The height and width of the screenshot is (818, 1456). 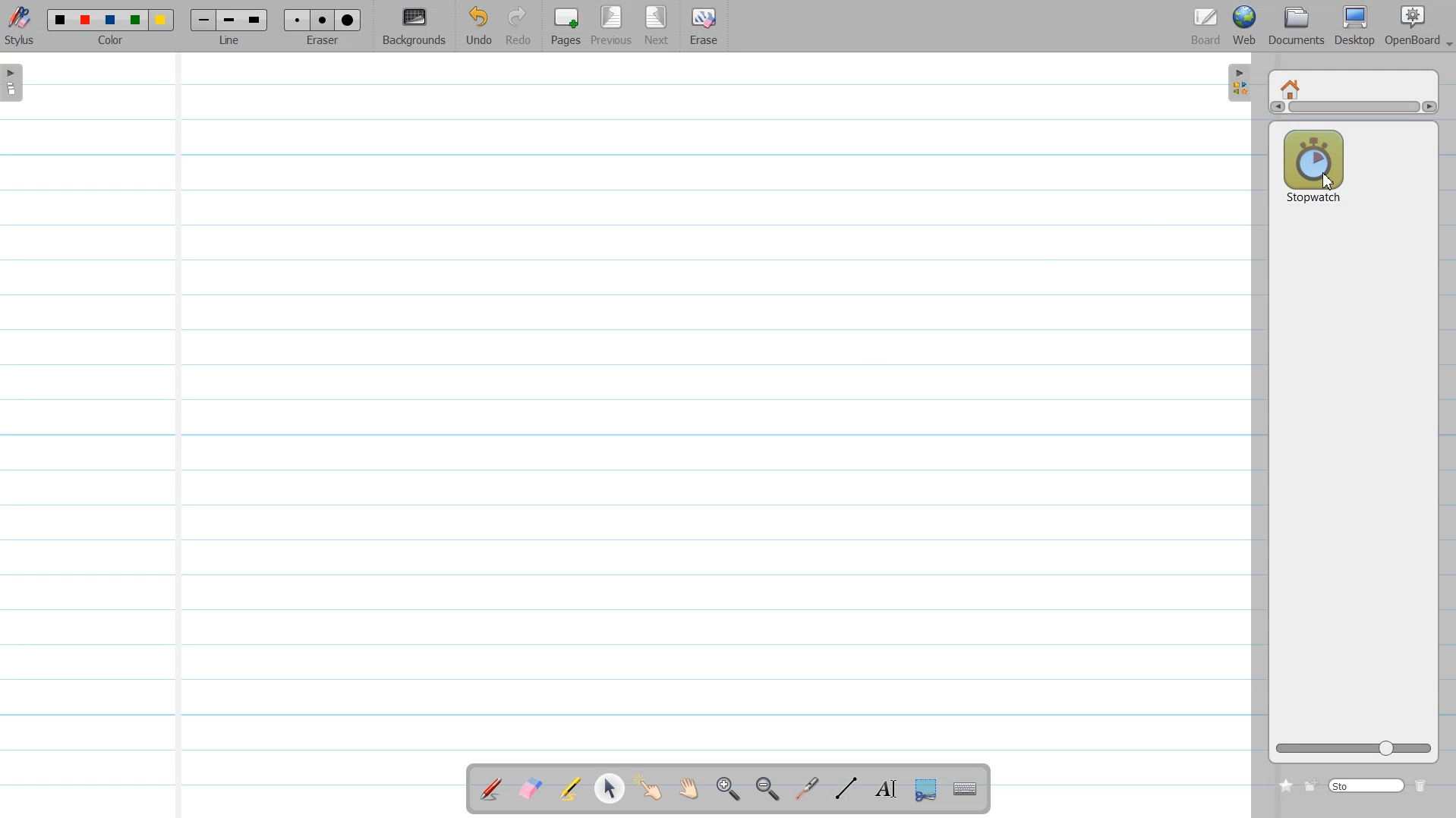 What do you see at coordinates (704, 27) in the screenshot?
I see `Erase` at bounding box center [704, 27].